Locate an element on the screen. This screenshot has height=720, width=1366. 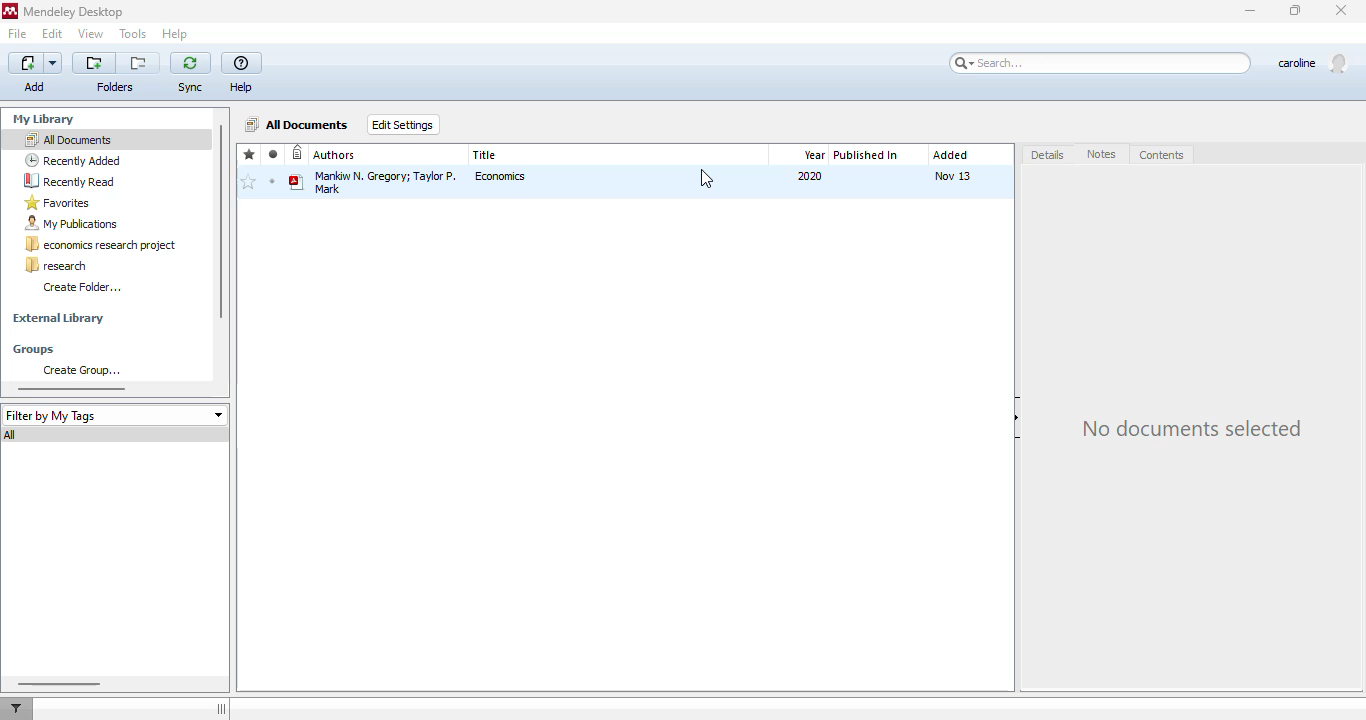
minimize is located at coordinates (1251, 12).